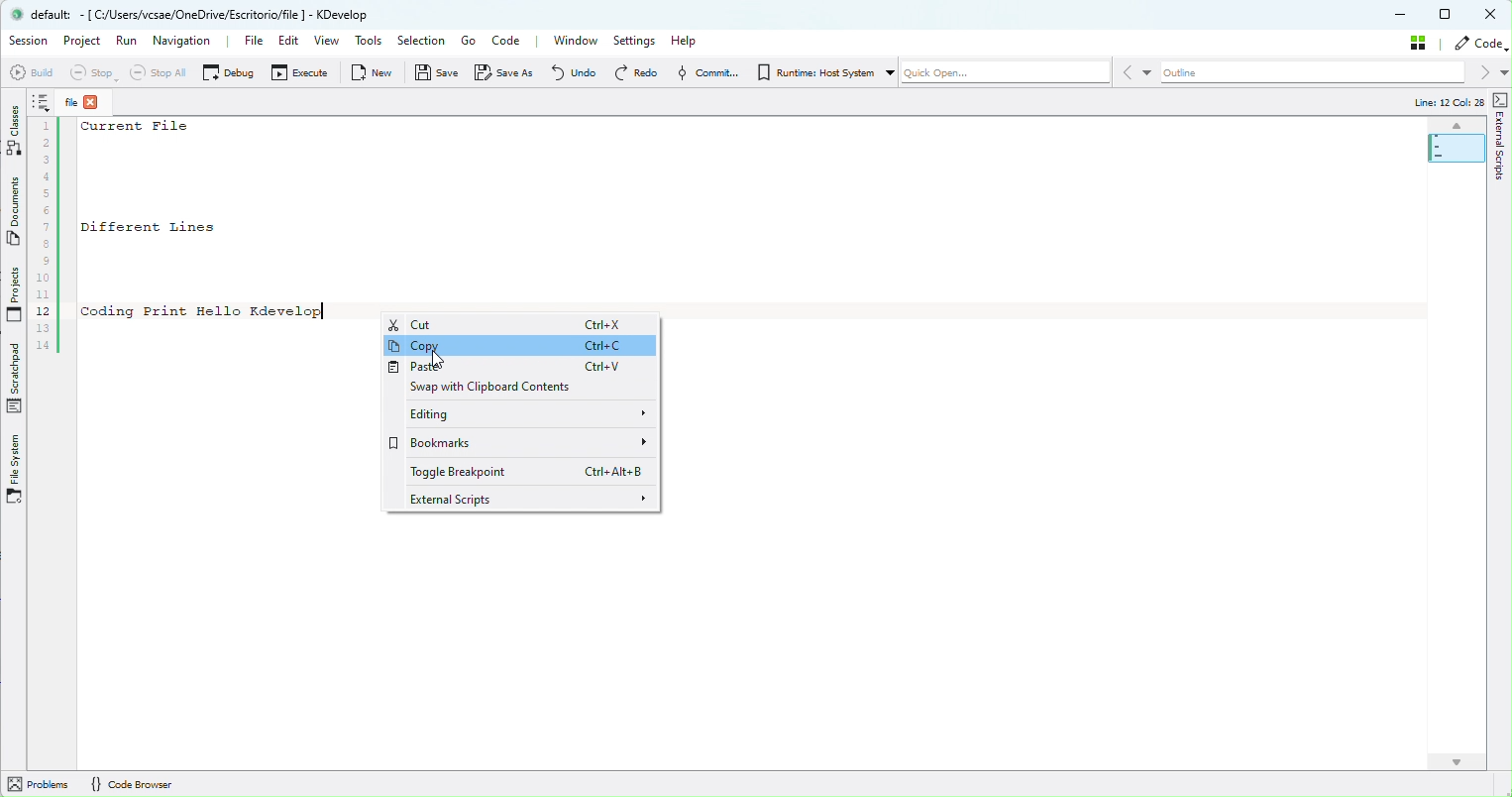 The height and width of the screenshot is (797, 1512). What do you see at coordinates (94, 101) in the screenshot?
I see `File` at bounding box center [94, 101].